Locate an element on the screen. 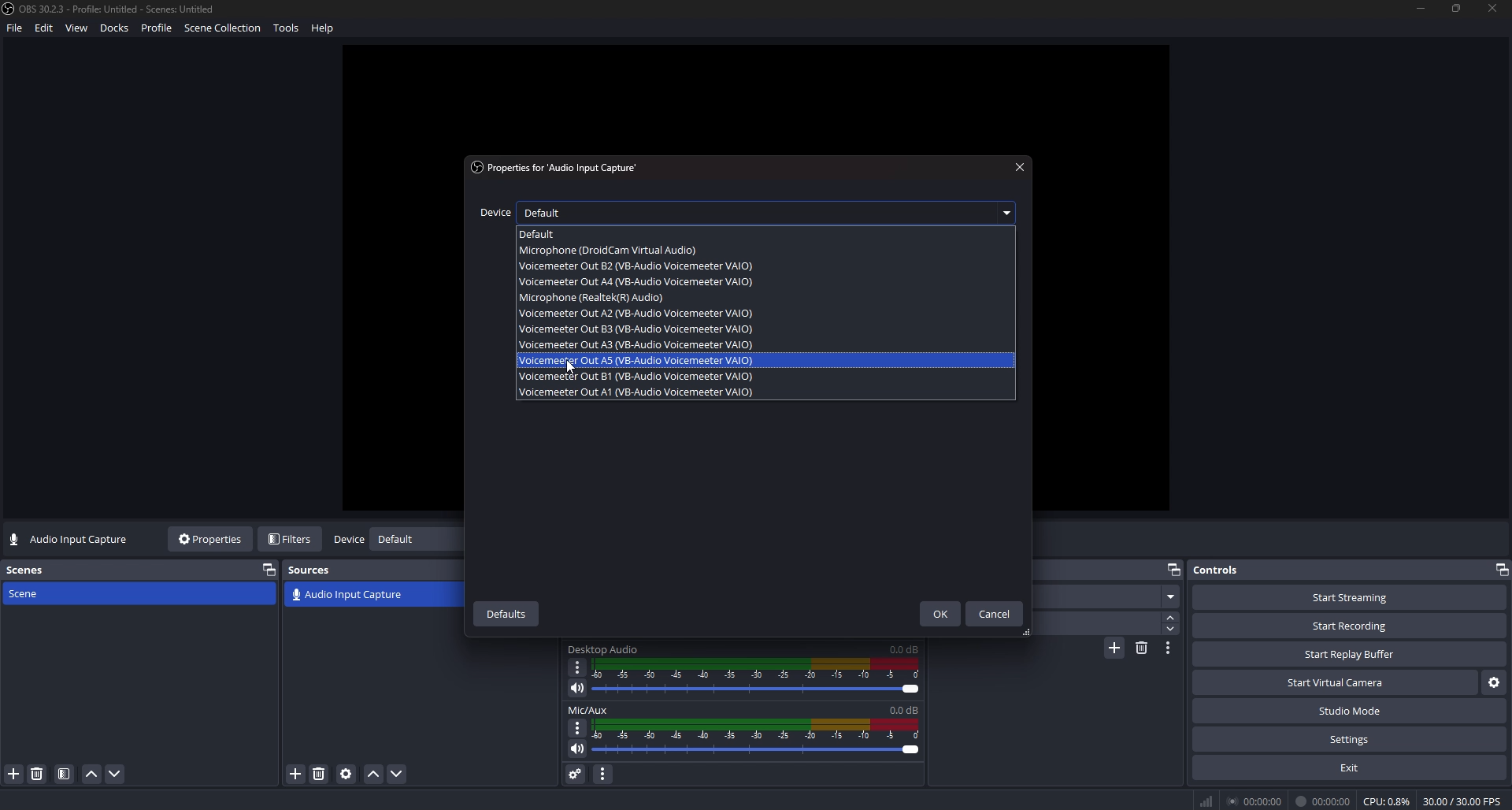 The height and width of the screenshot is (810, 1512). move scene down is located at coordinates (117, 774).